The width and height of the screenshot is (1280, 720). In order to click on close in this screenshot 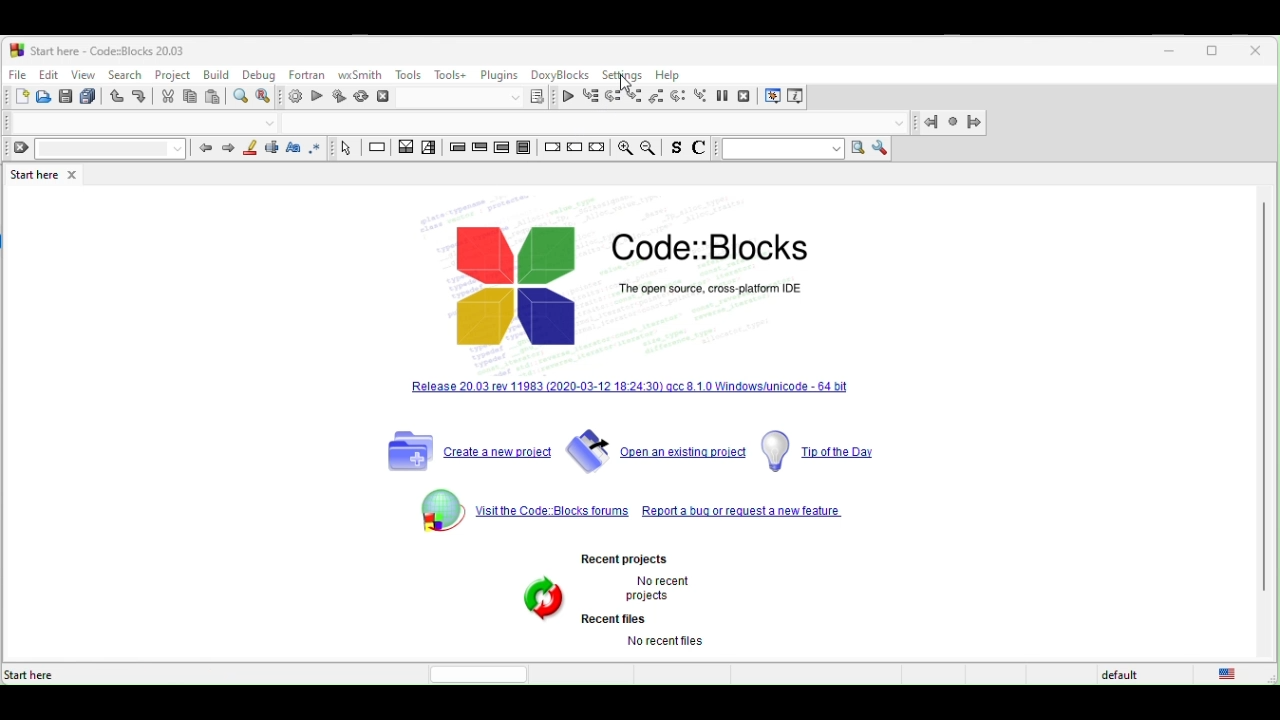, I will do `click(1260, 52)`.